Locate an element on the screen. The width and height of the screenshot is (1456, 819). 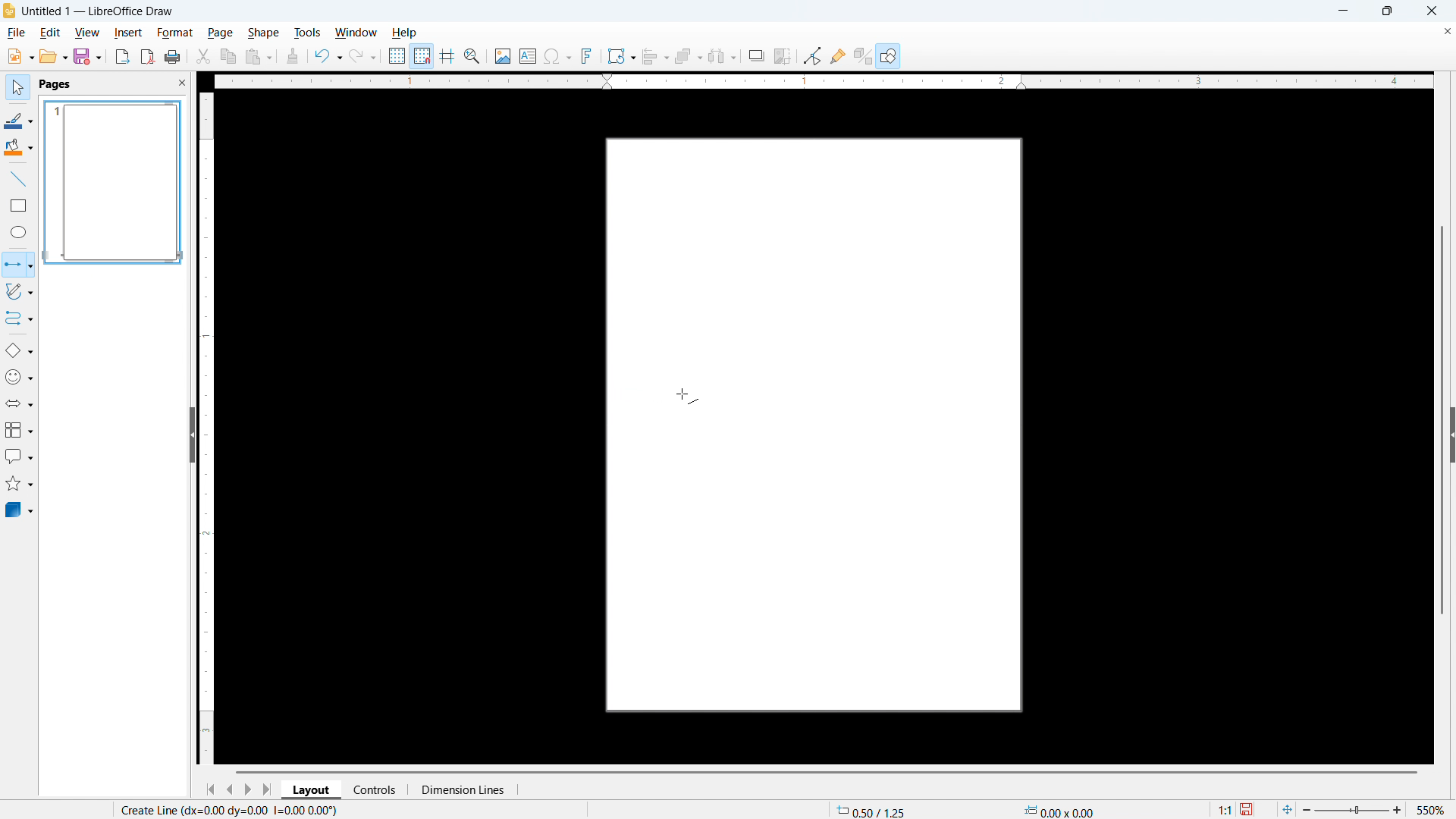
Go to last page  is located at coordinates (269, 789).